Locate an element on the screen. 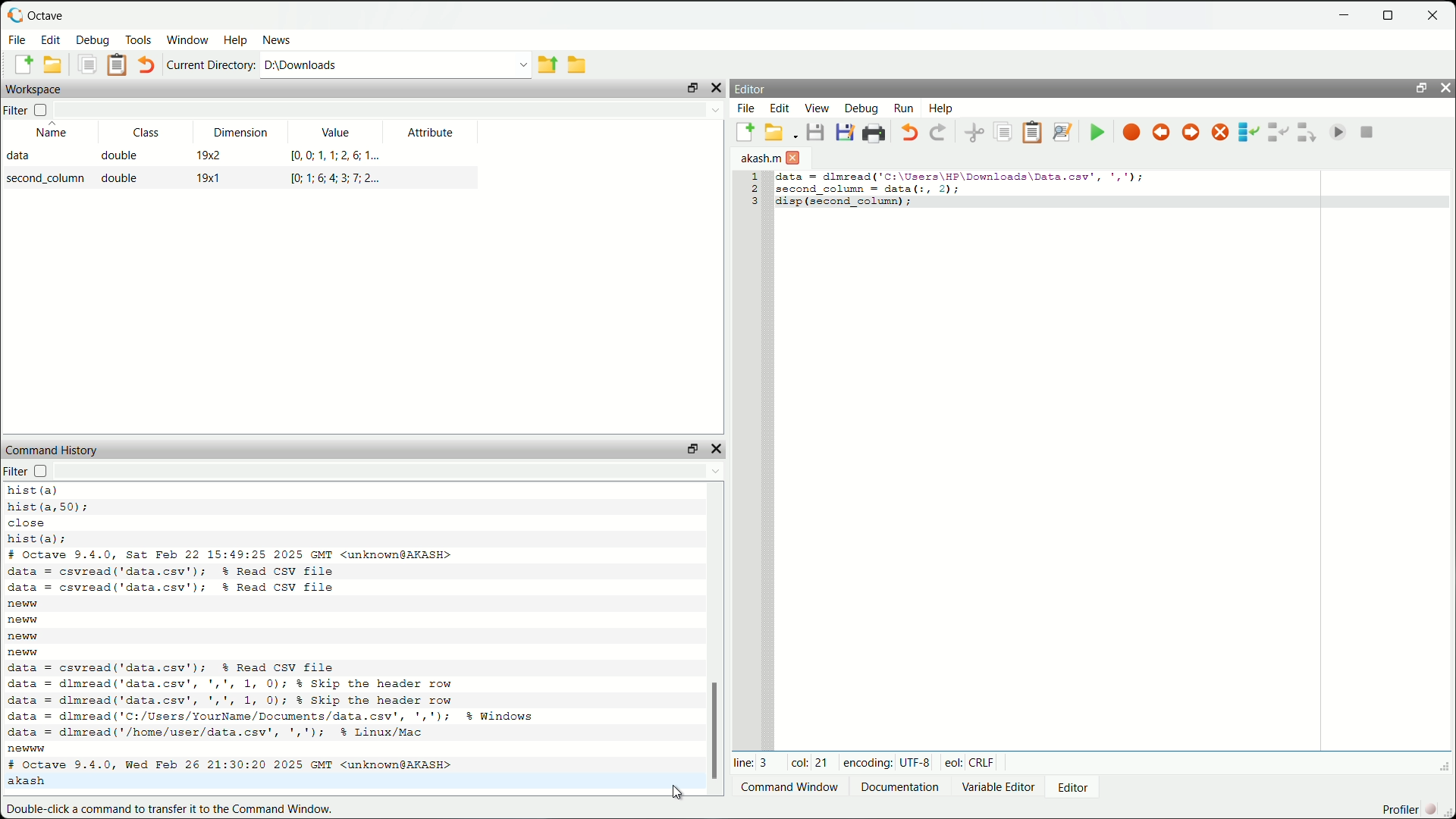  copy is located at coordinates (89, 67).